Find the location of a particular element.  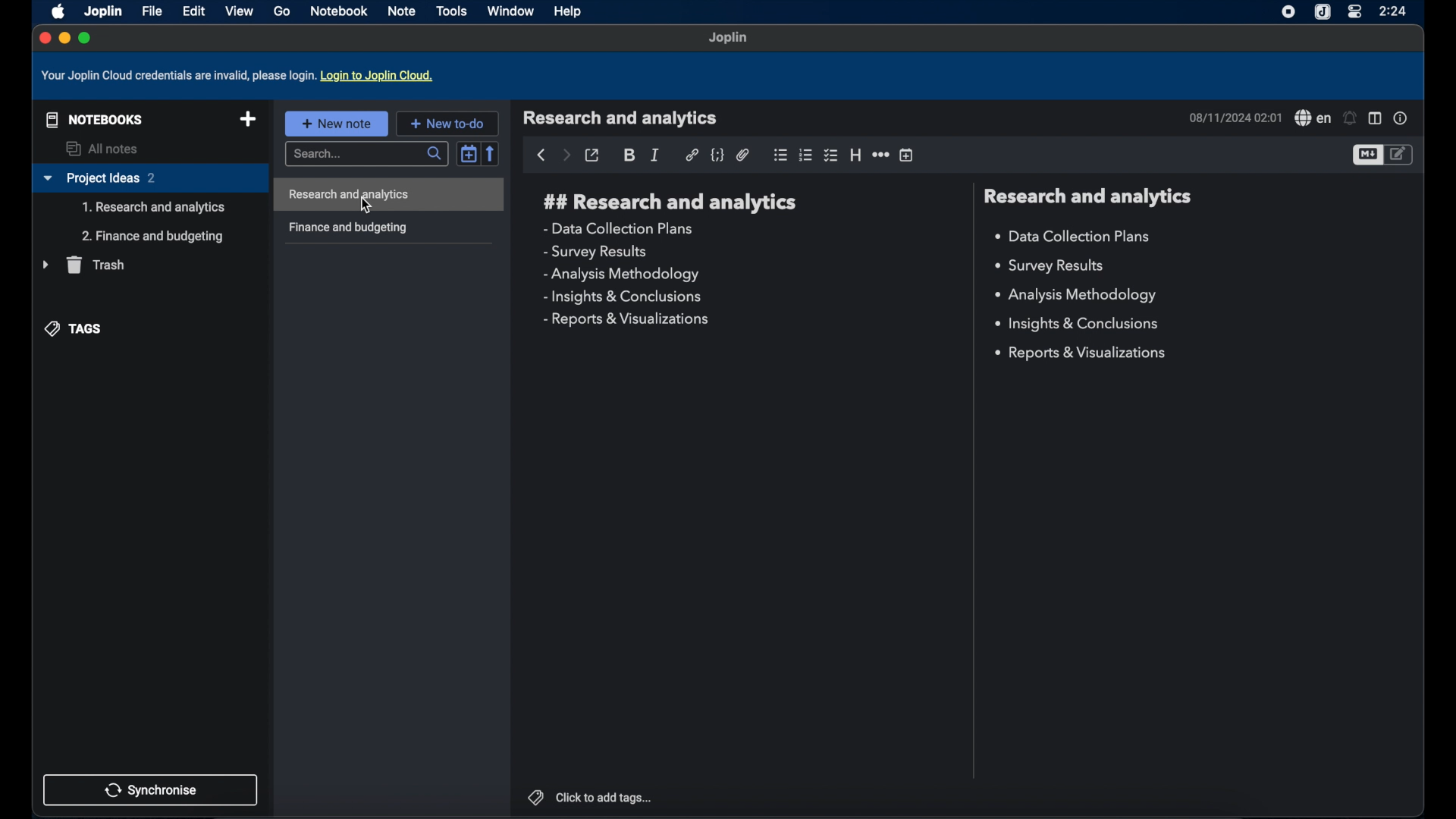

insights and conclusions is located at coordinates (1079, 325).